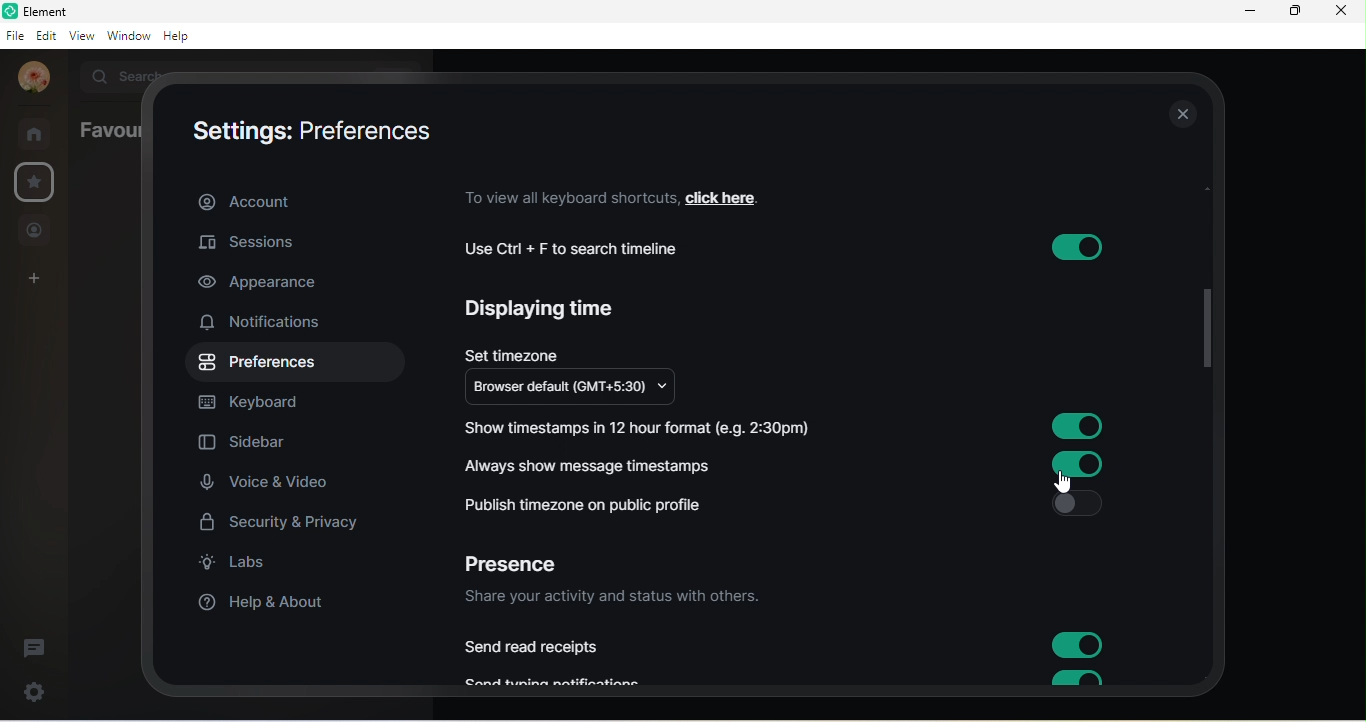 This screenshot has height=722, width=1366. I want to click on file, so click(14, 35).